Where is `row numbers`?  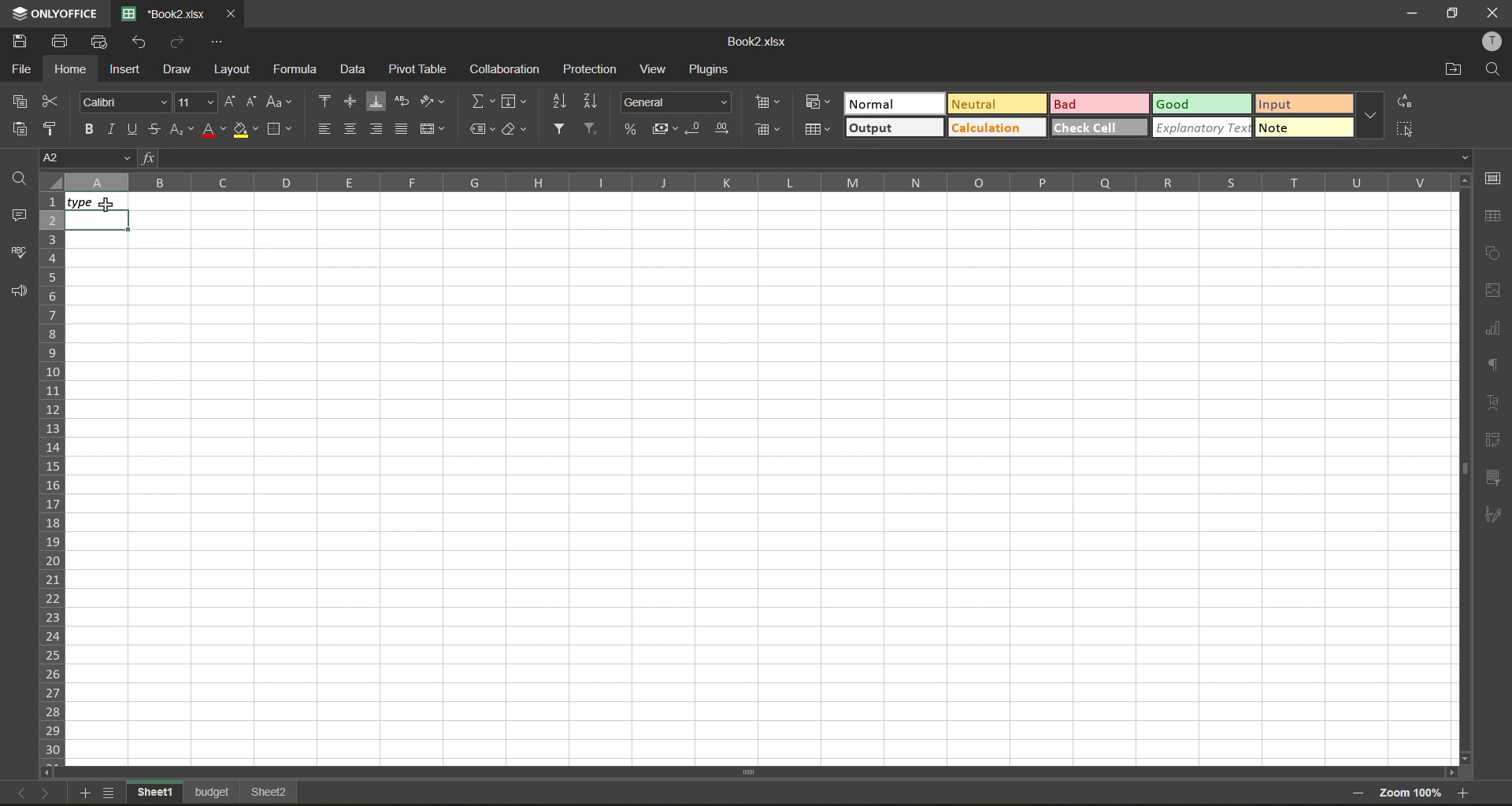
row numbers is located at coordinates (50, 478).